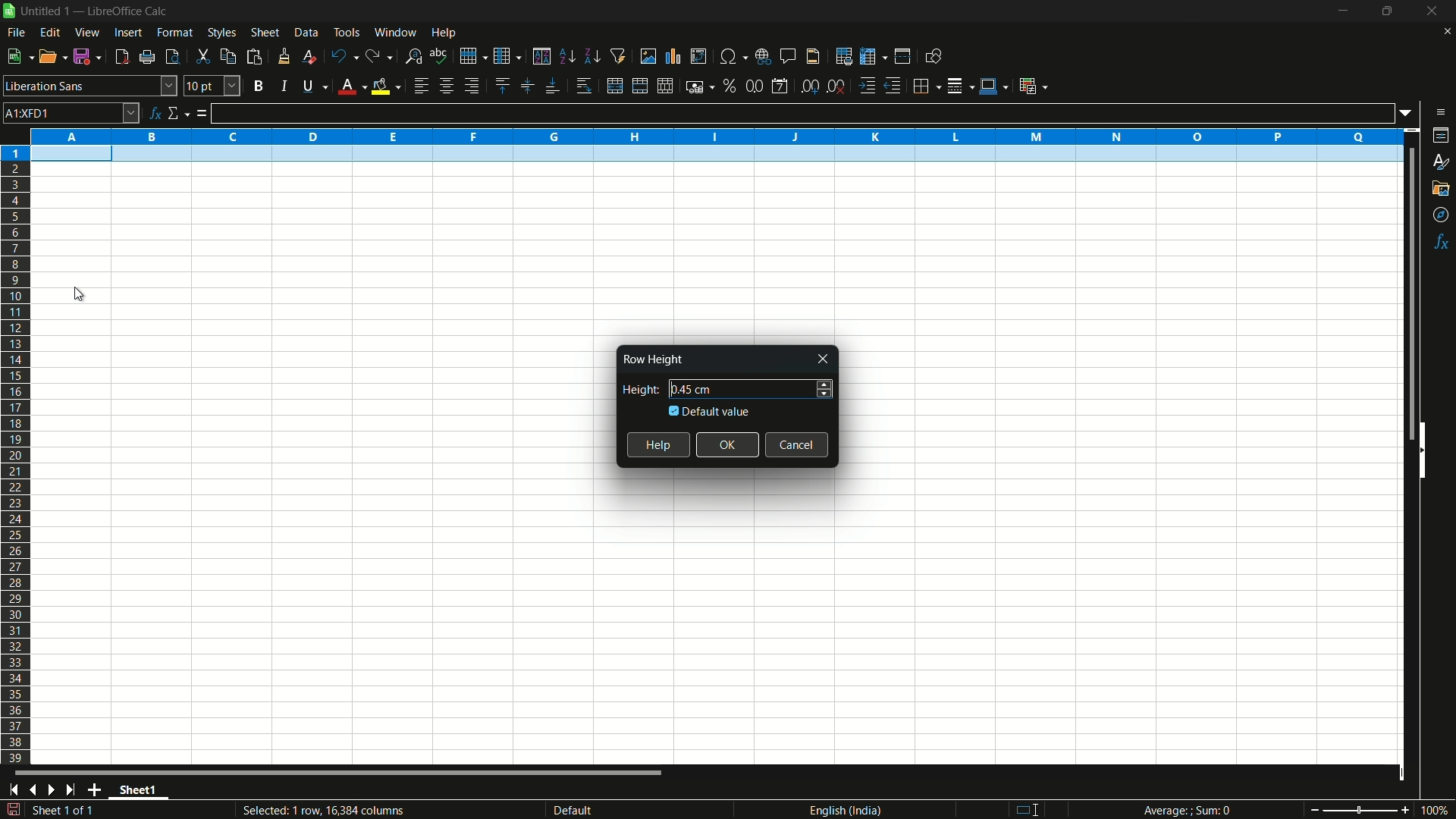 The height and width of the screenshot is (819, 1456). Describe the element at coordinates (1429, 449) in the screenshot. I see `hide sidebar` at that location.